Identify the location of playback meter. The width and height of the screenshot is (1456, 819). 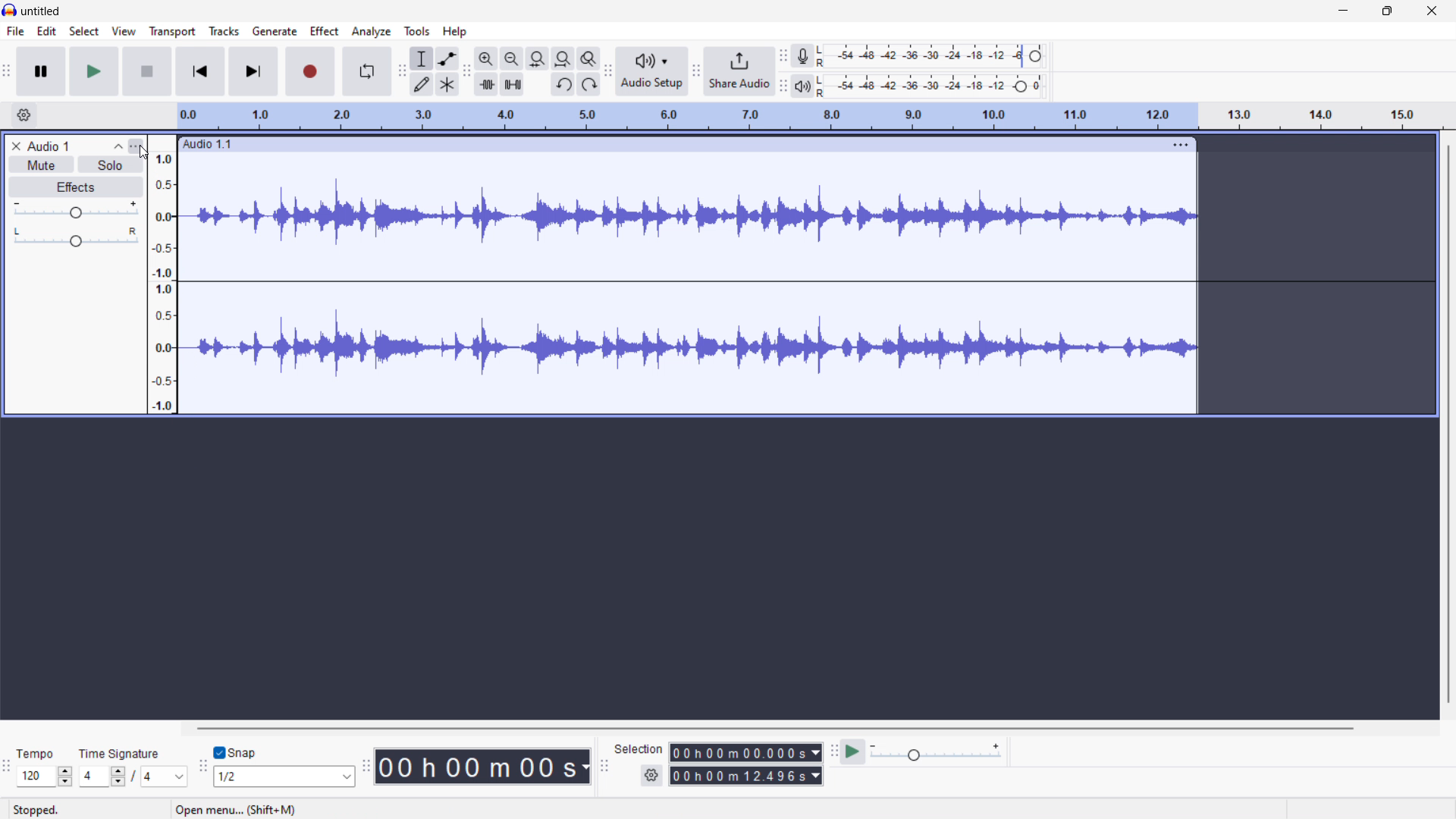
(801, 86).